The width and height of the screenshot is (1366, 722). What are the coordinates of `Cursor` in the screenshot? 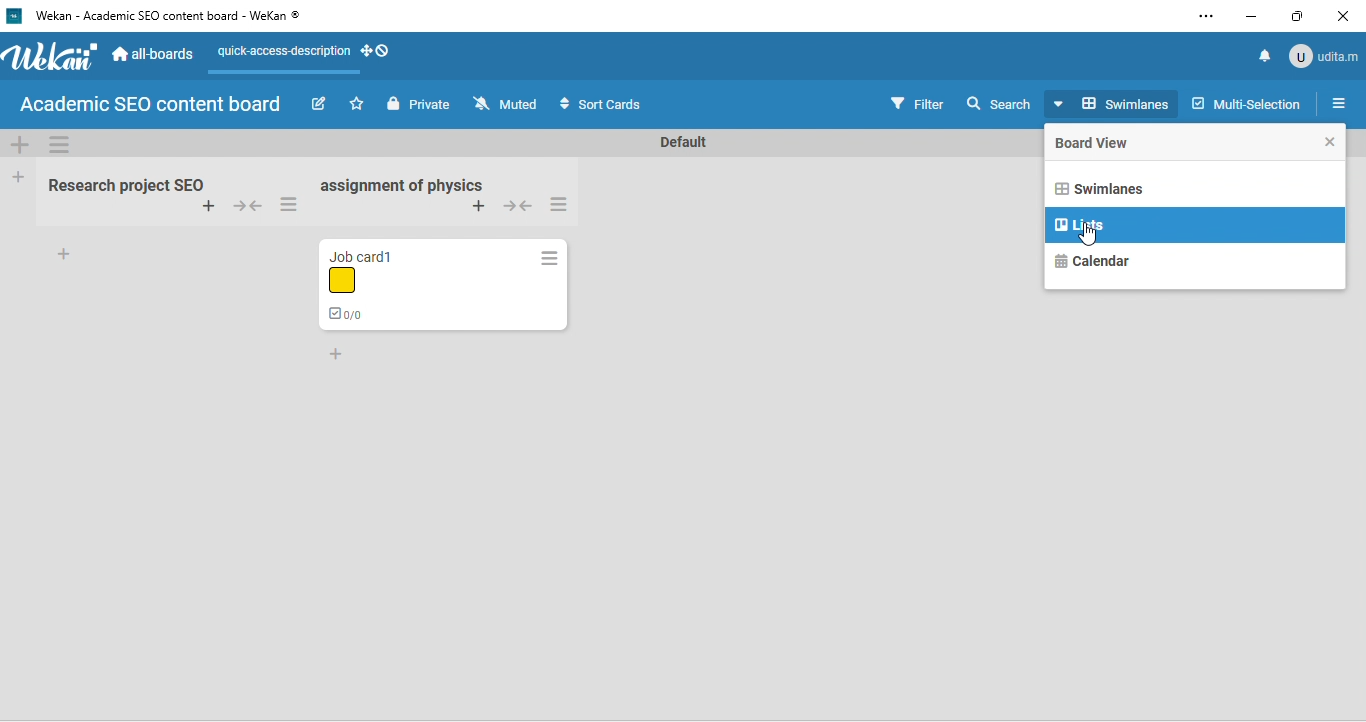 It's located at (1091, 235).